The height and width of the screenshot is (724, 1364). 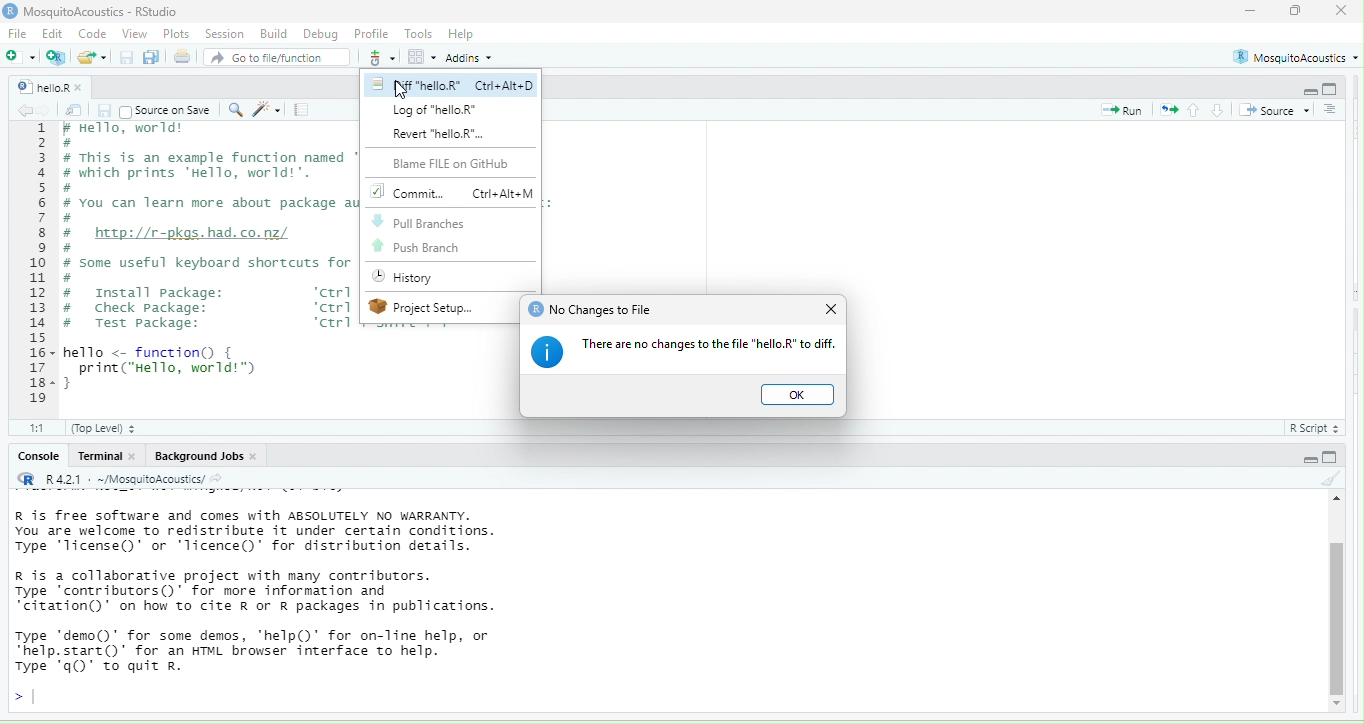 I want to click on  Nf "helloR"  Ctri+Alt+D |, so click(x=457, y=86).